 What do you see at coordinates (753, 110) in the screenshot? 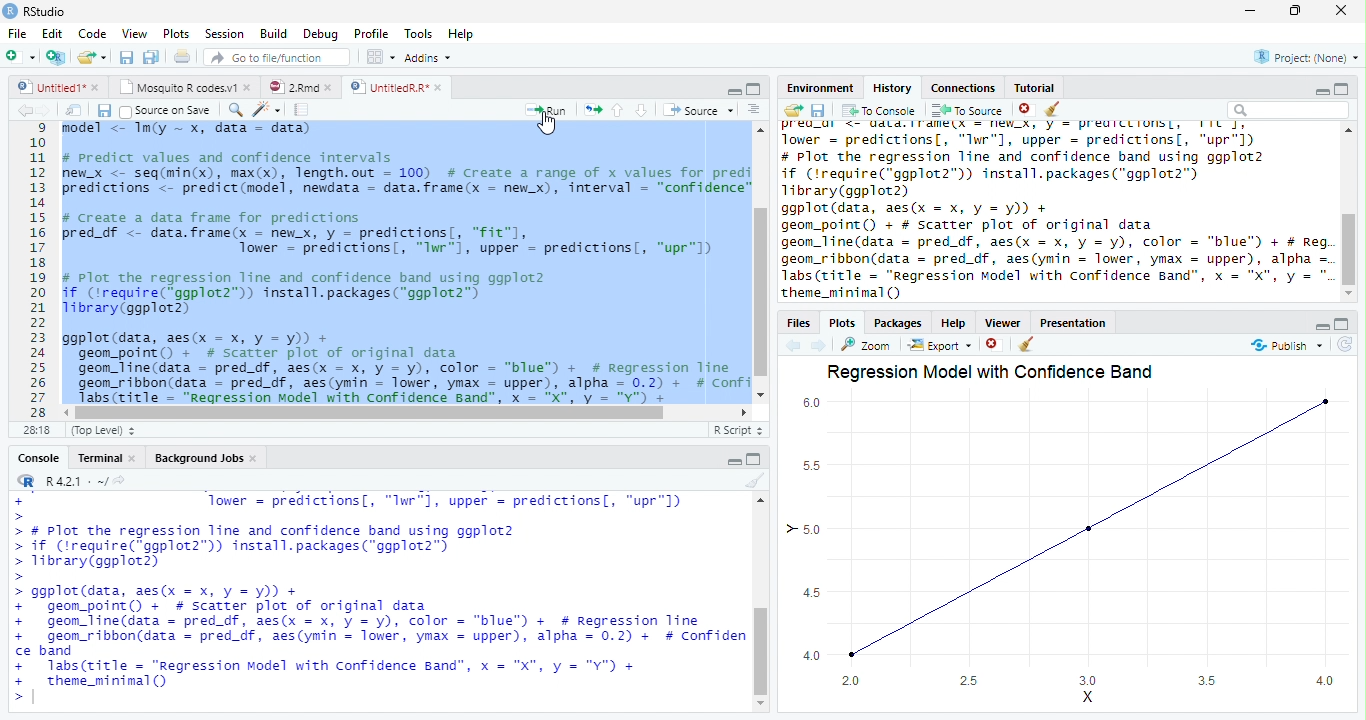
I see `Alignment` at bounding box center [753, 110].